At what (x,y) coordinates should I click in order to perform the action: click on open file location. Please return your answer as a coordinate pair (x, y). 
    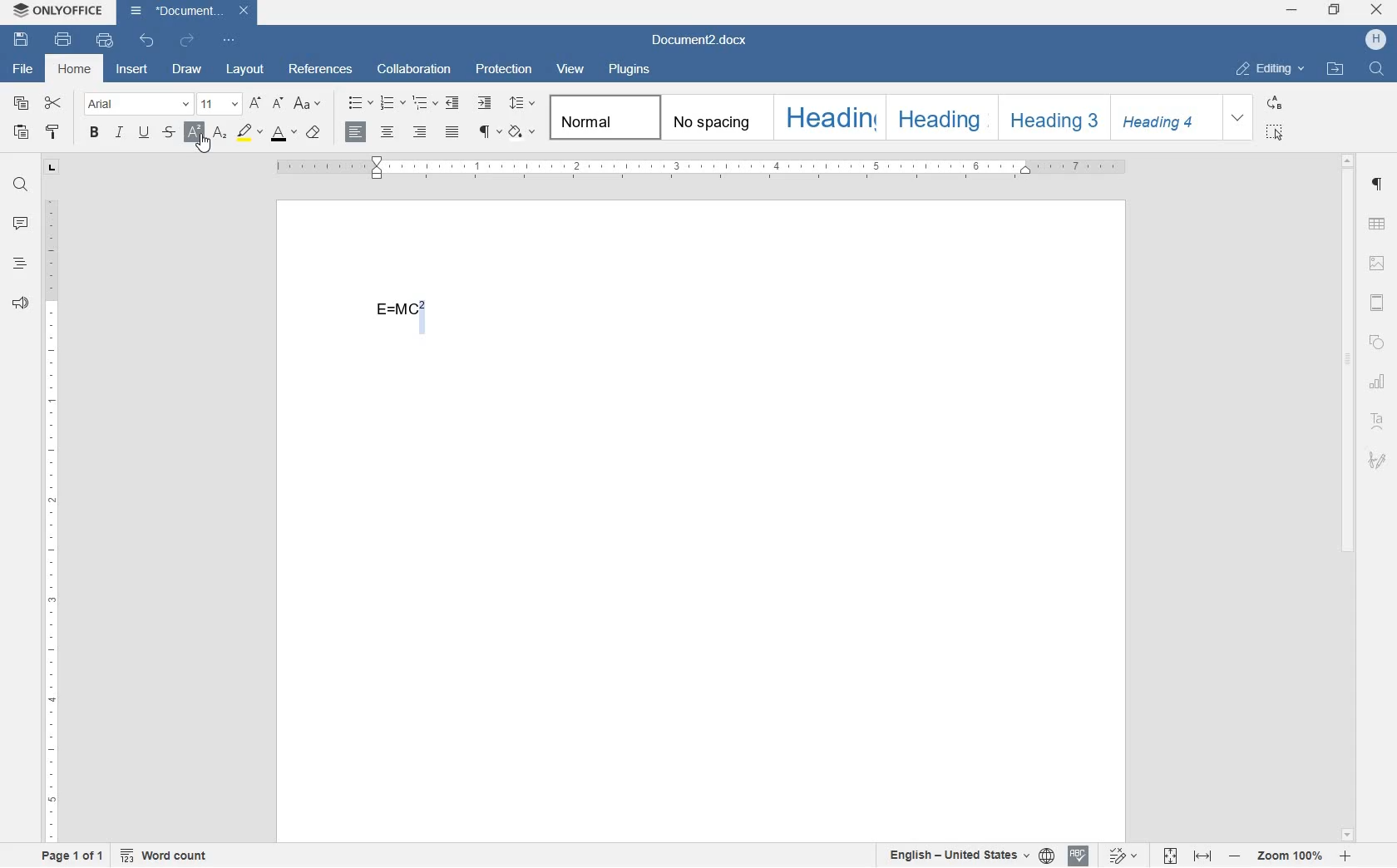
    Looking at the image, I should click on (1335, 68).